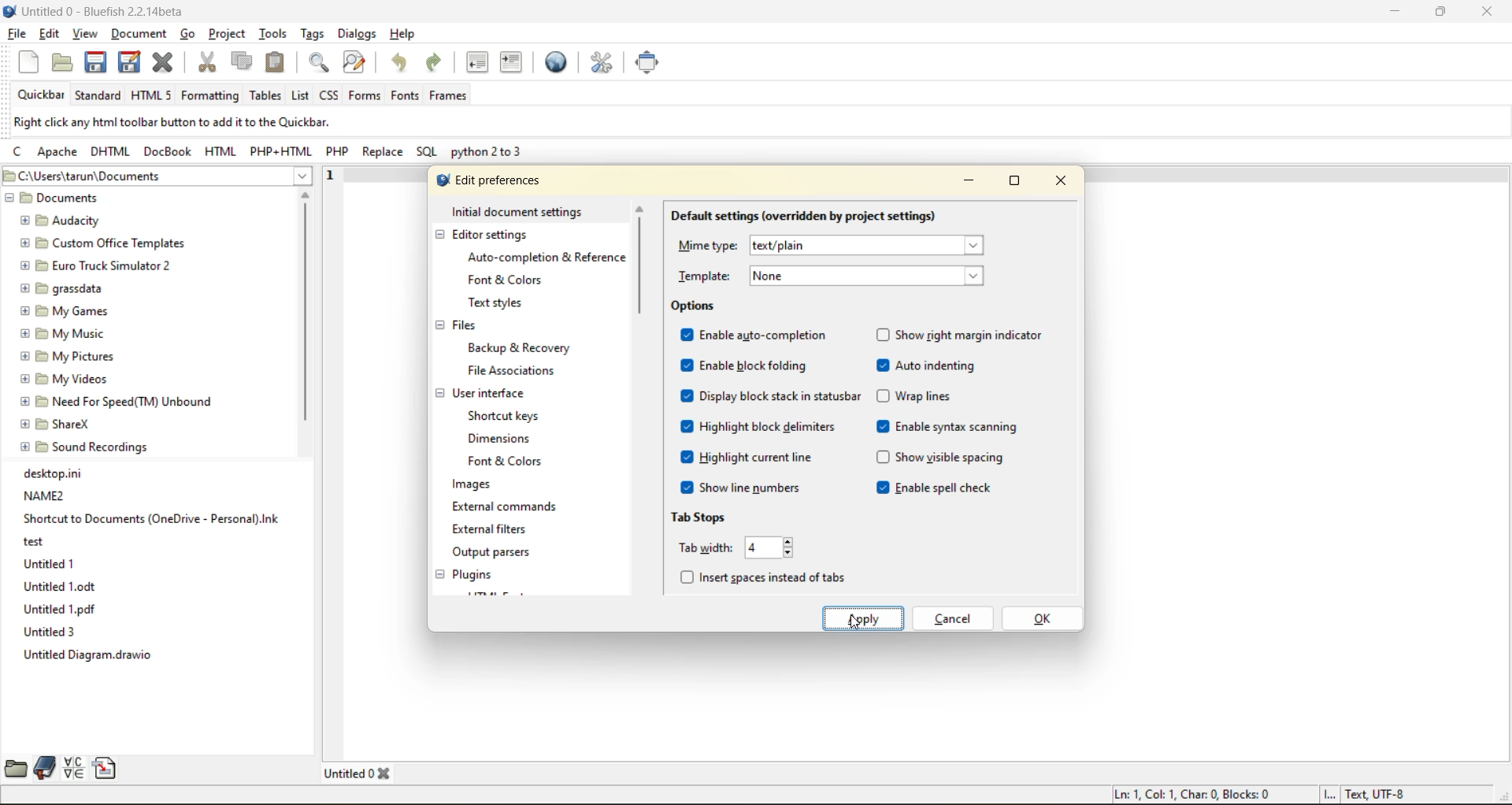 This screenshot has height=805, width=1512. I want to click on cancel, so click(952, 617).